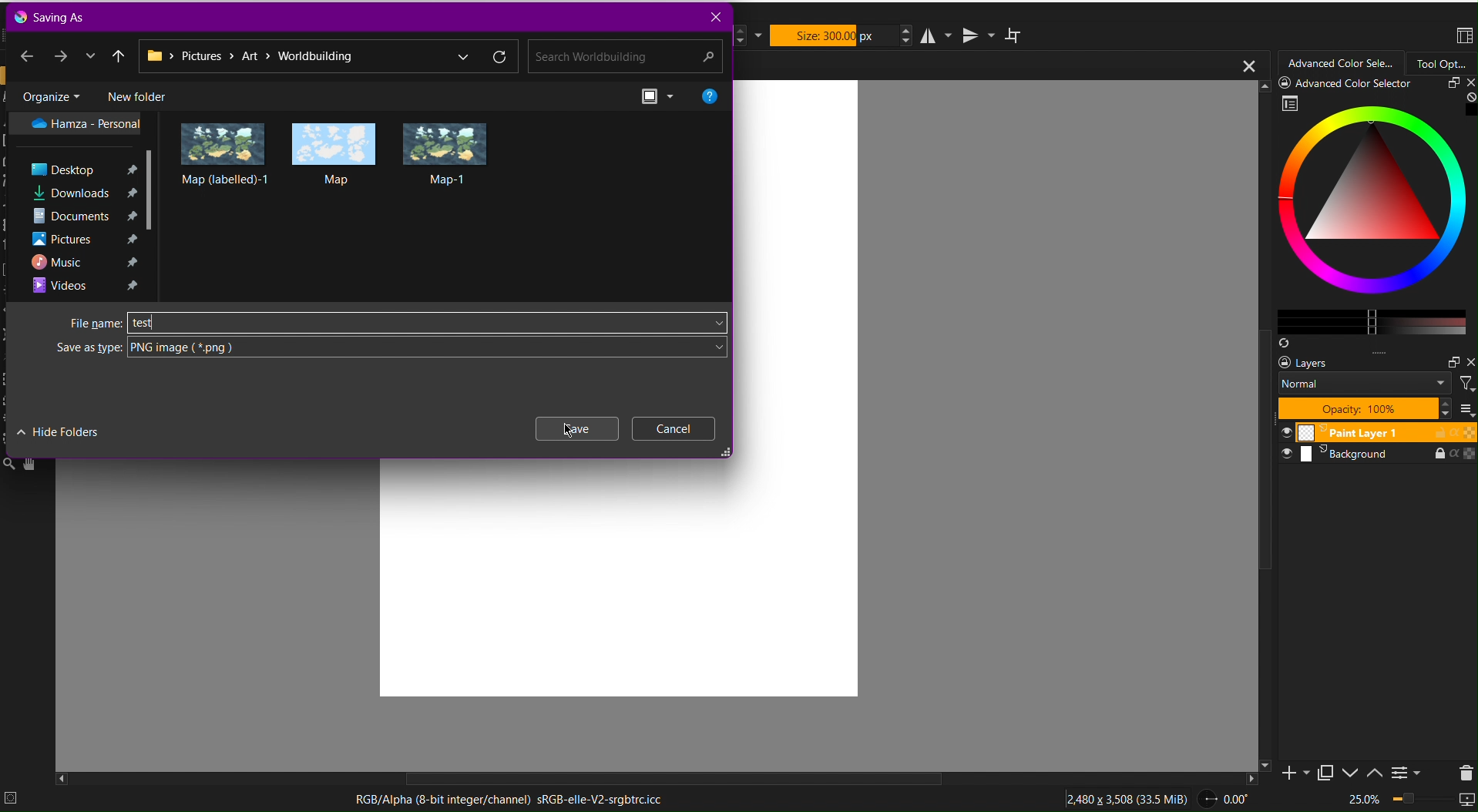 The width and height of the screenshot is (1478, 812). What do you see at coordinates (50, 95) in the screenshot?
I see `Organize` at bounding box center [50, 95].